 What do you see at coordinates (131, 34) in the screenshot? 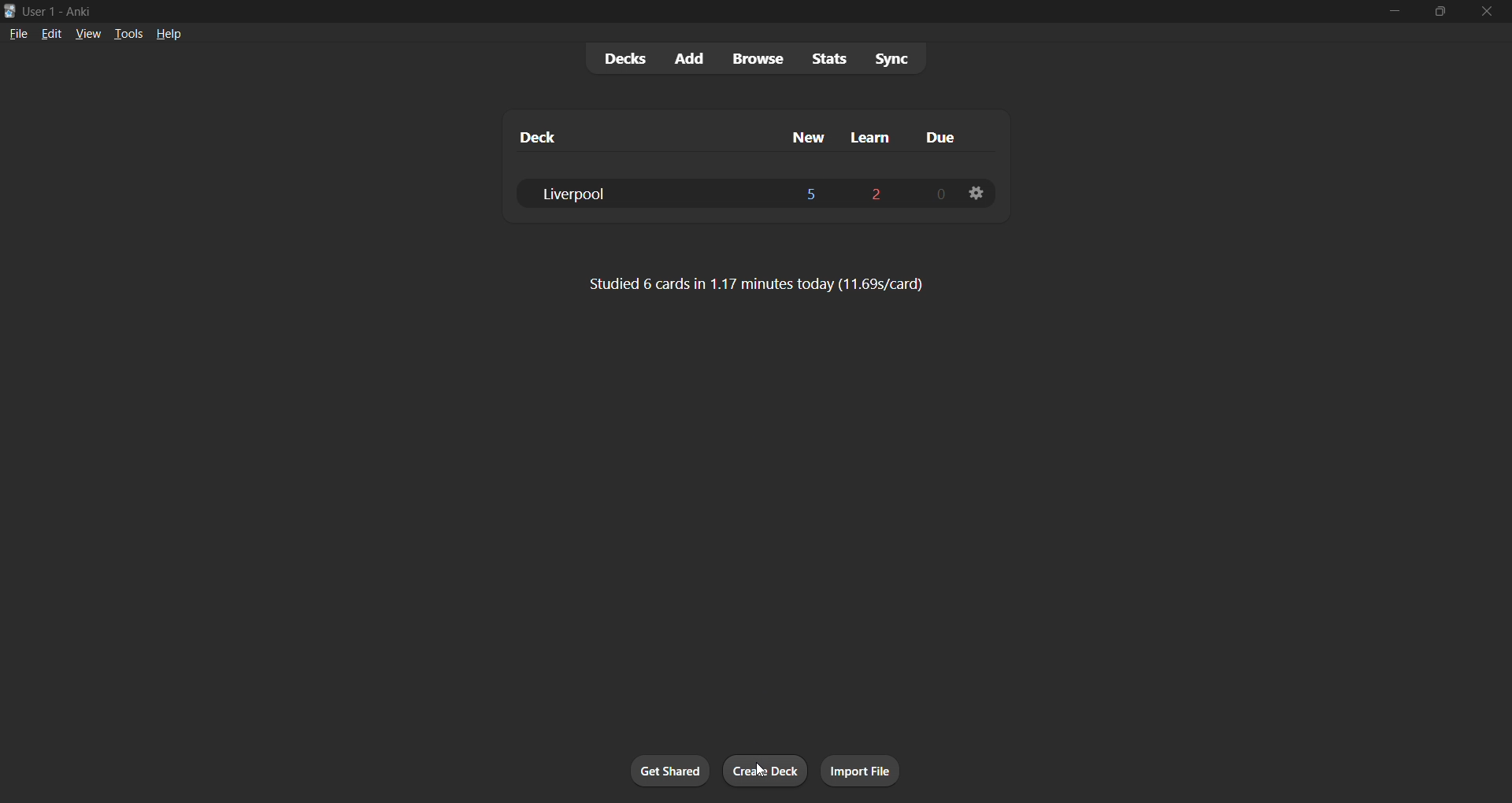
I see `tools` at bounding box center [131, 34].